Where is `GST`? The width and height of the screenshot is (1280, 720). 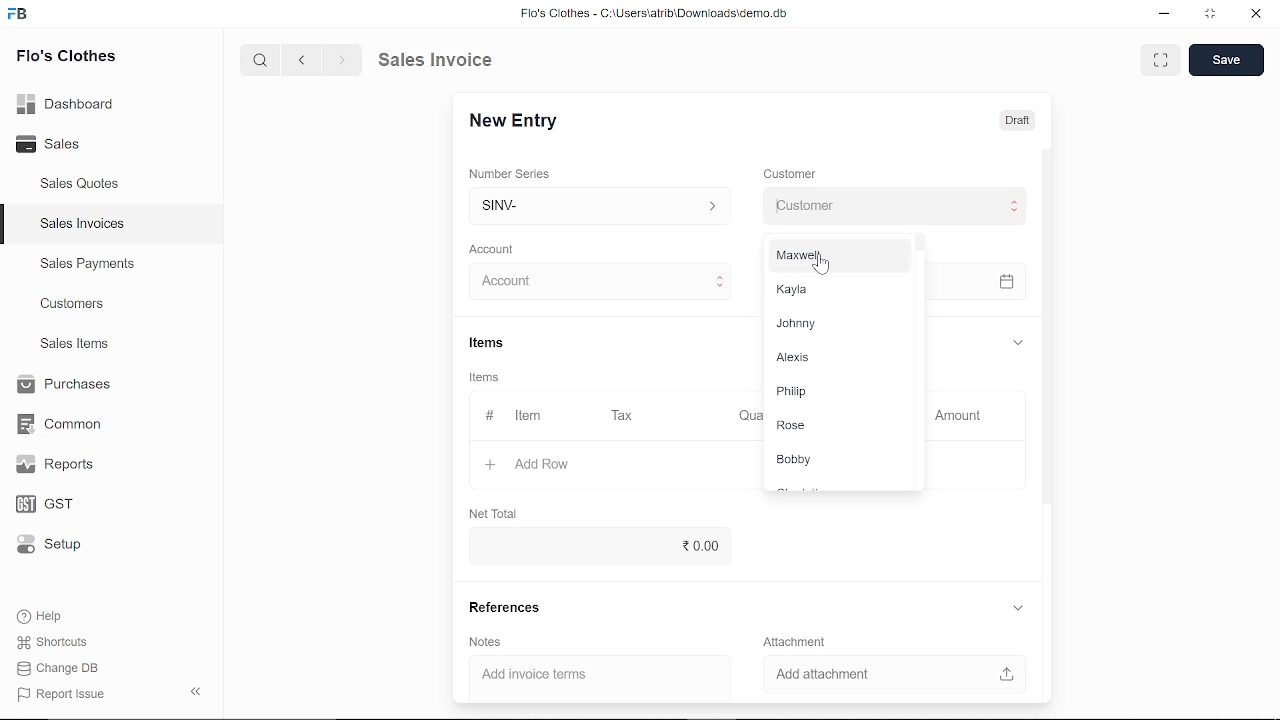 GST is located at coordinates (55, 501).